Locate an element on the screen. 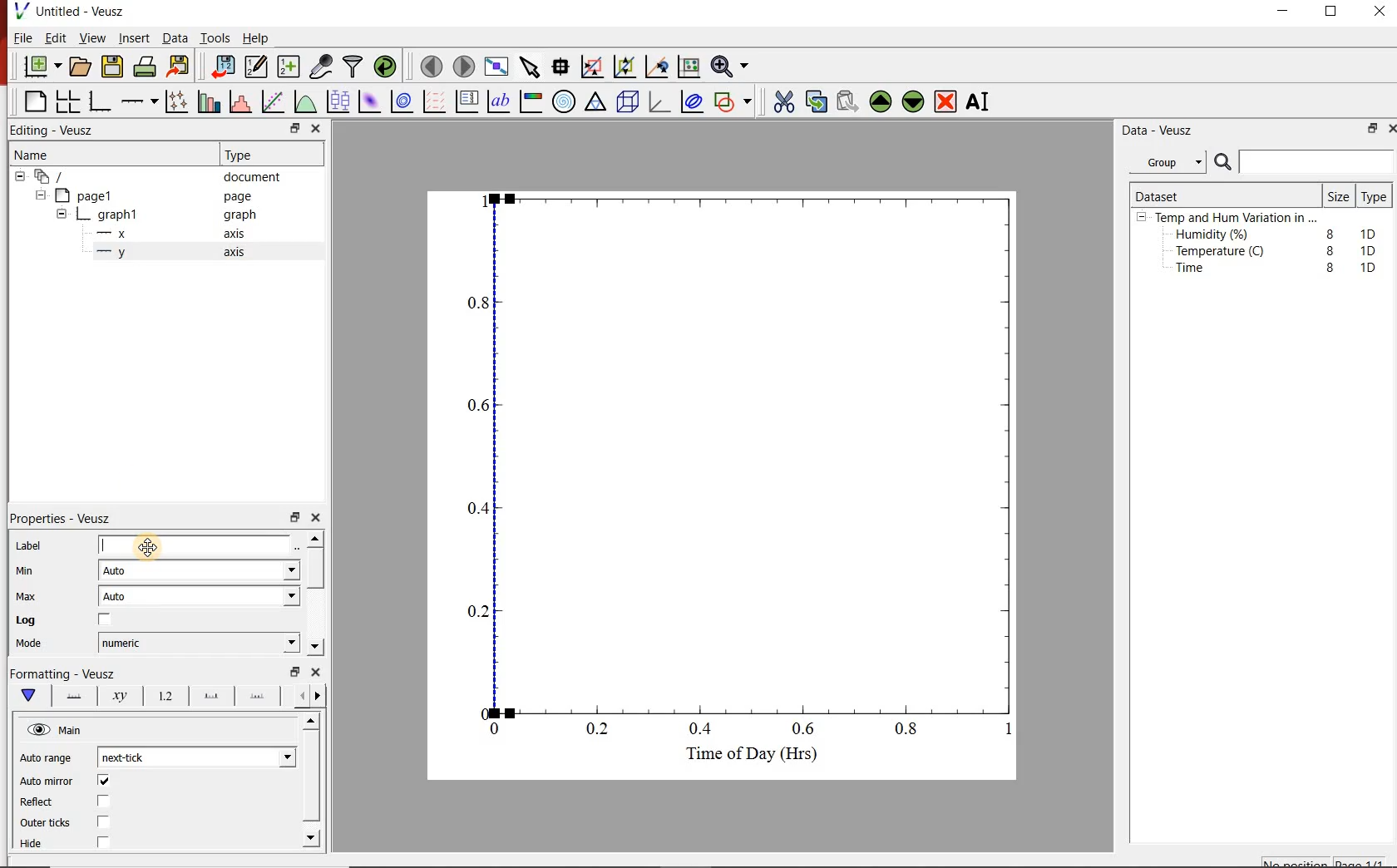 Image resolution: width=1397 pixels, height=868 pixels. create new datasets using ranges, parametrically or as functions of existing datasets is located at coordinates (289, 67).